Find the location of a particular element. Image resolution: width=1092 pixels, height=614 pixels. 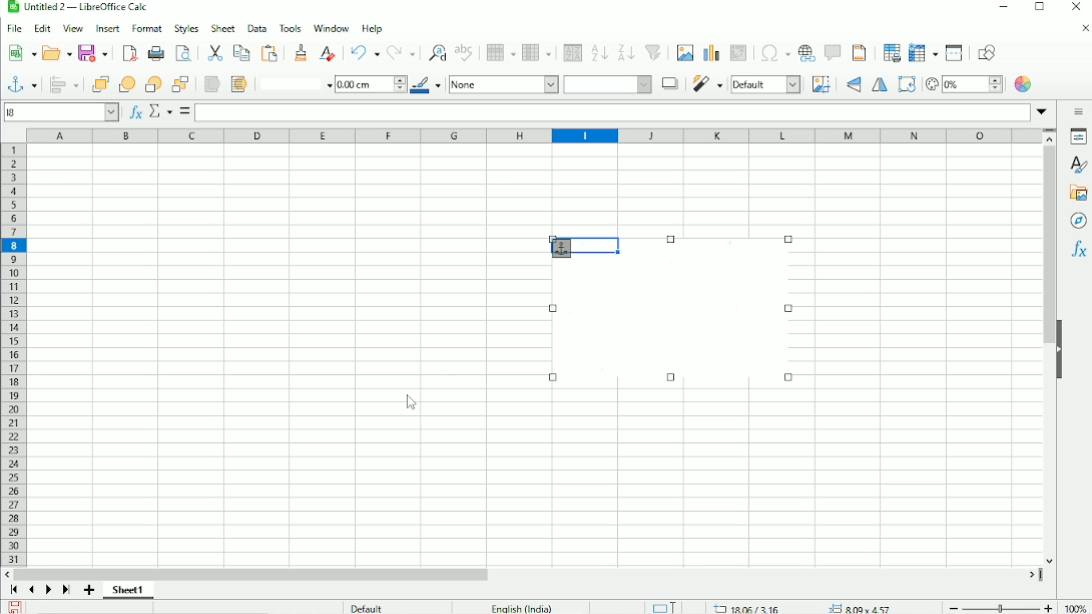

Tools is located at coordinates (290, 27).